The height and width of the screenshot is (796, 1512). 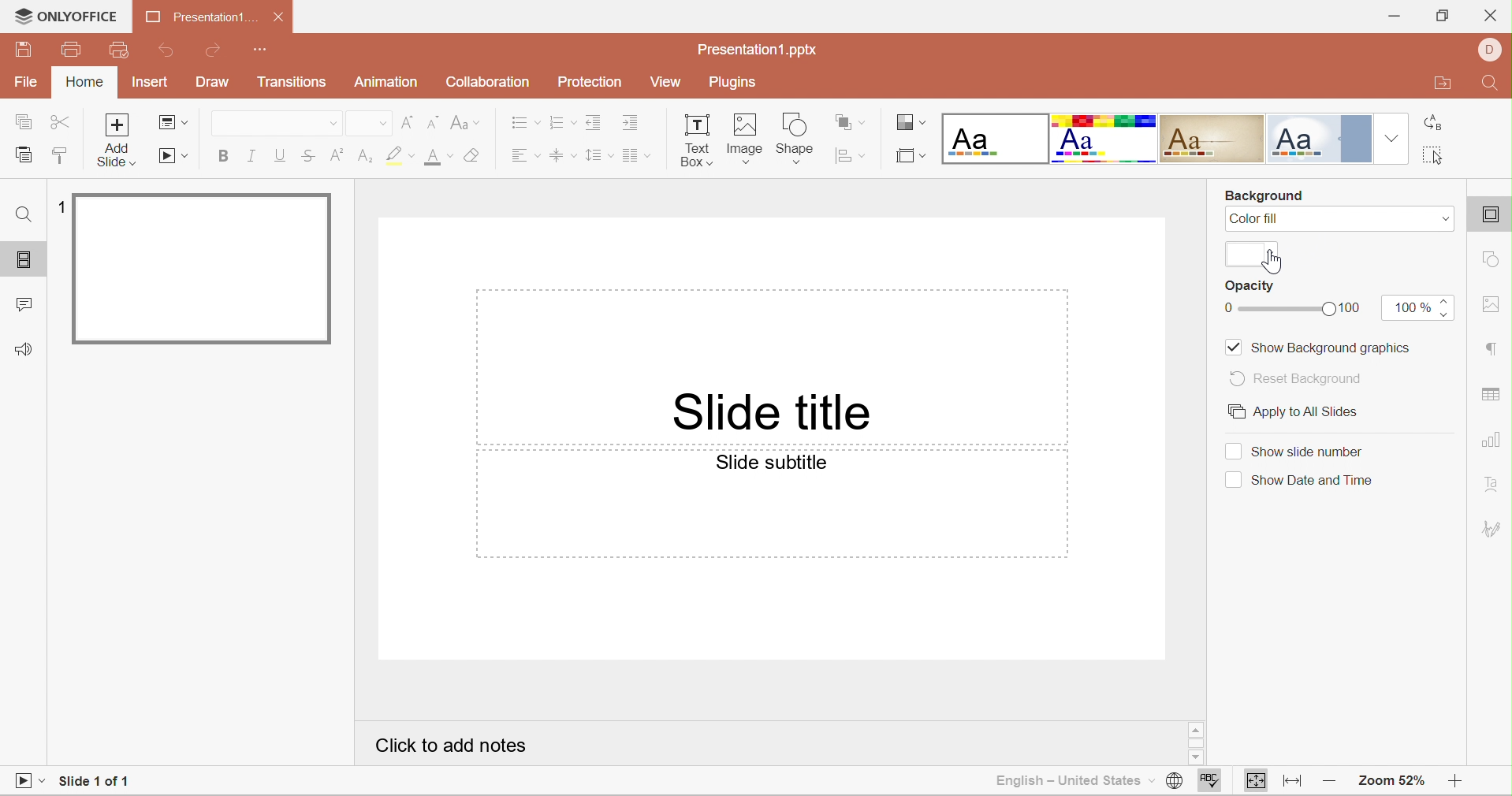 I want to click on Font size, so click(x=438, y=157).